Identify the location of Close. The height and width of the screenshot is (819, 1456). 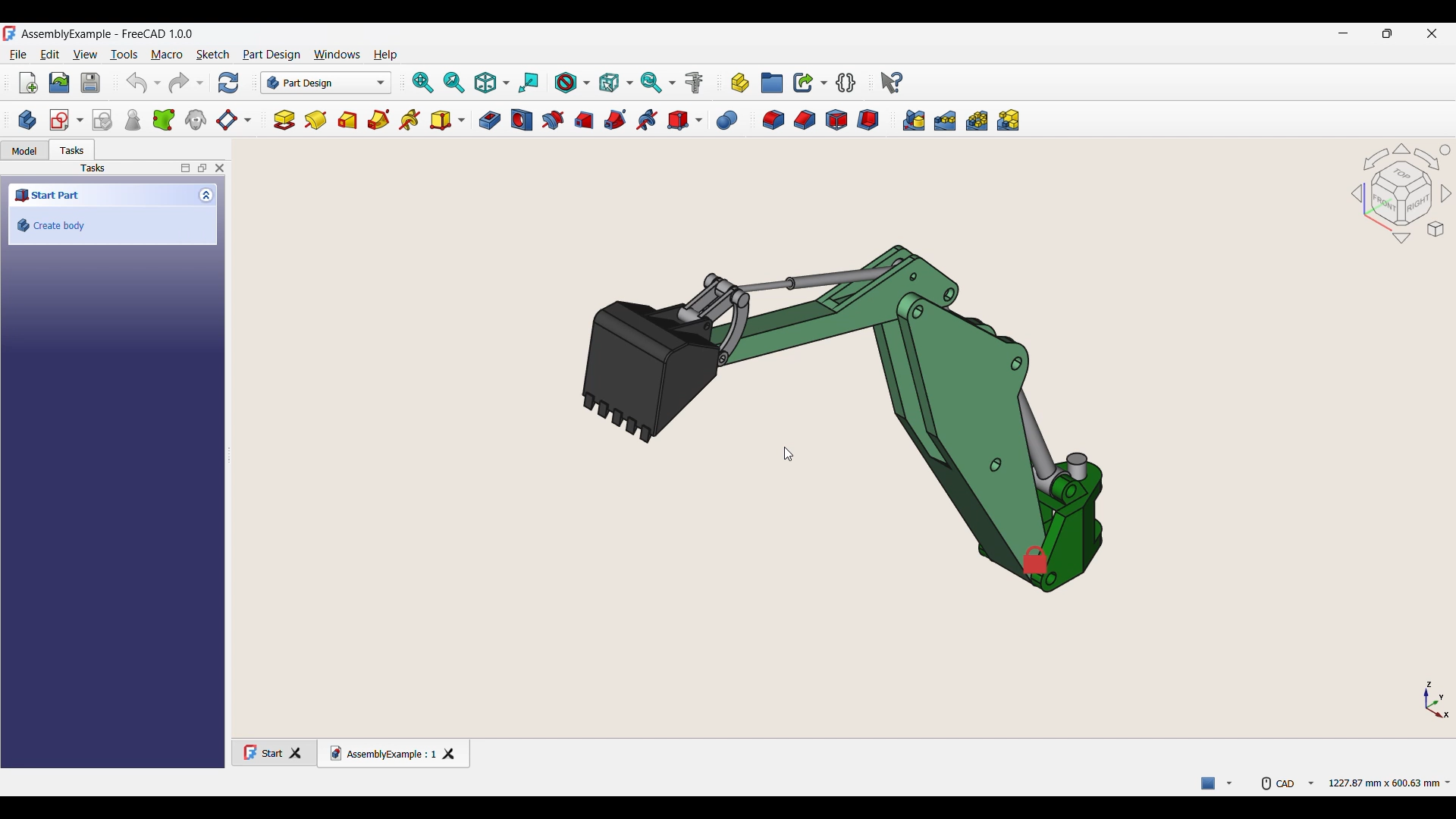
(222, 168).